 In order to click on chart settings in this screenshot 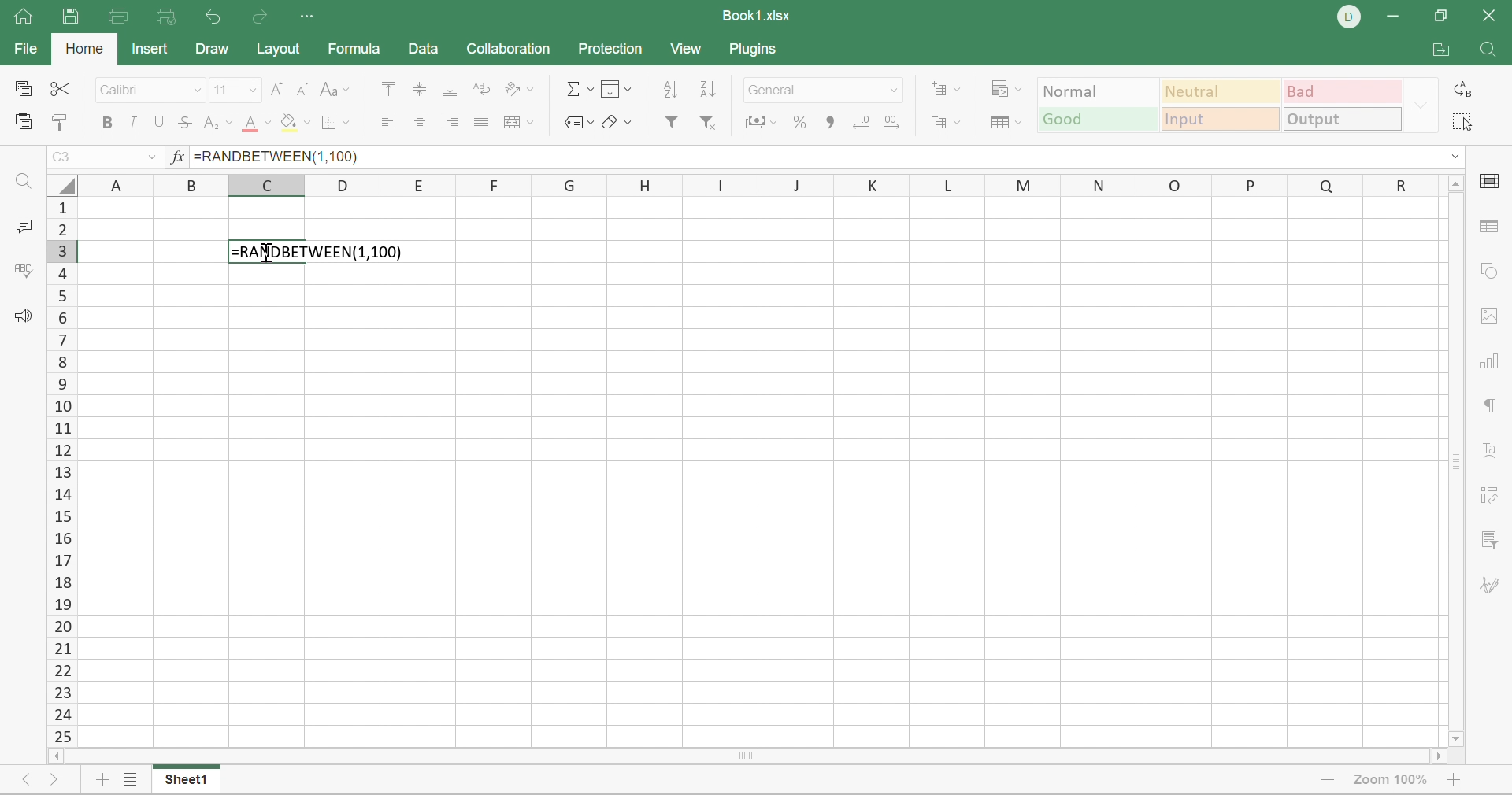, I will do `click(1491, 362)`.